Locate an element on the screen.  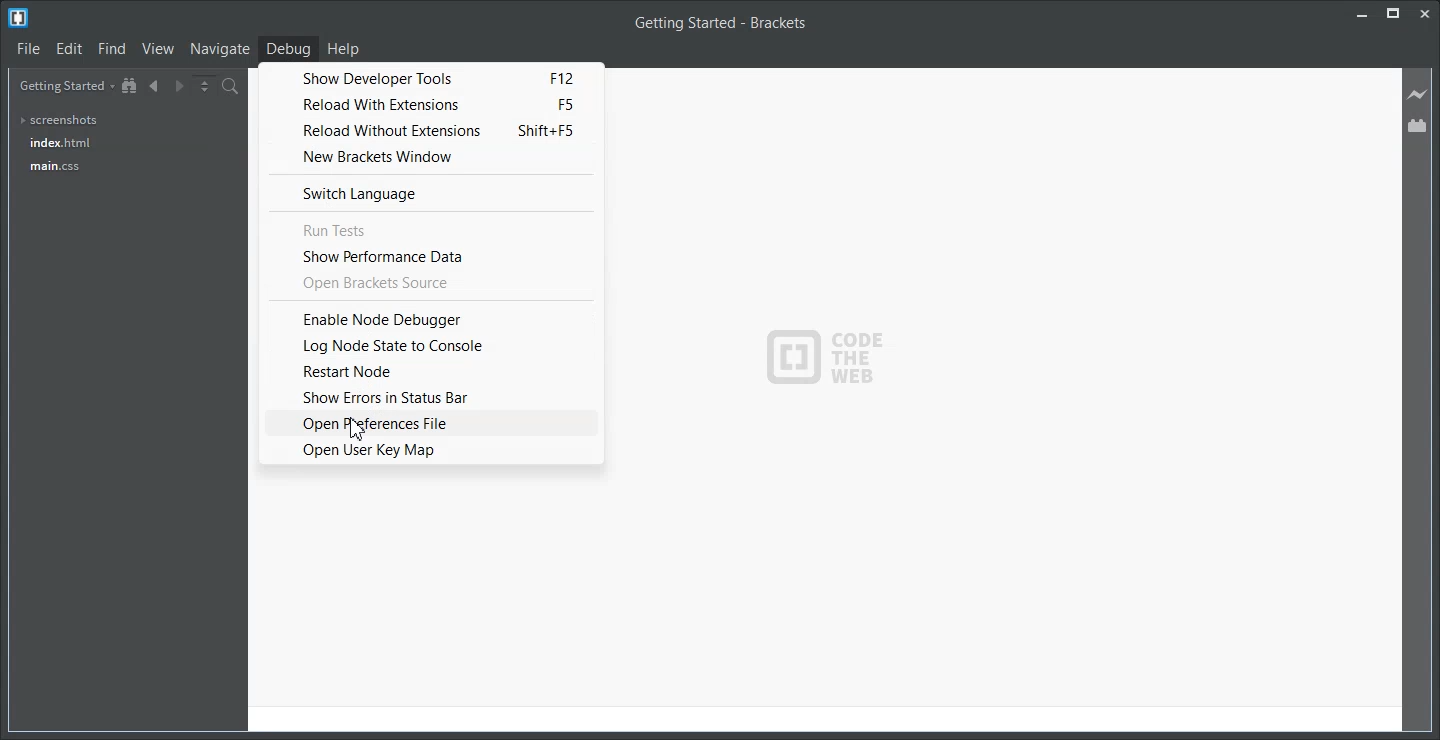
Find in files is located at coordinates (231, 86).